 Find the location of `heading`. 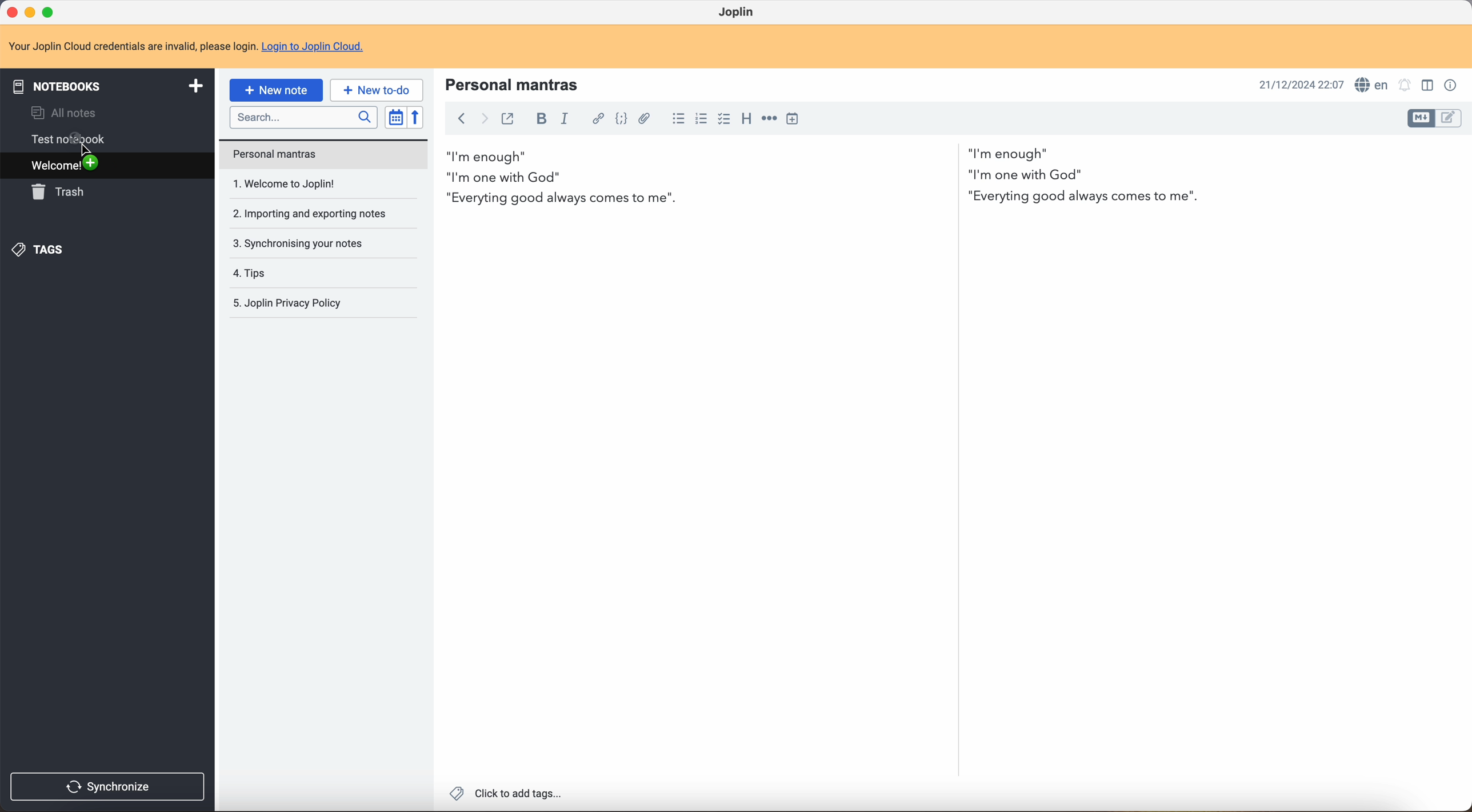

heading is located at coordinates (746, 121).